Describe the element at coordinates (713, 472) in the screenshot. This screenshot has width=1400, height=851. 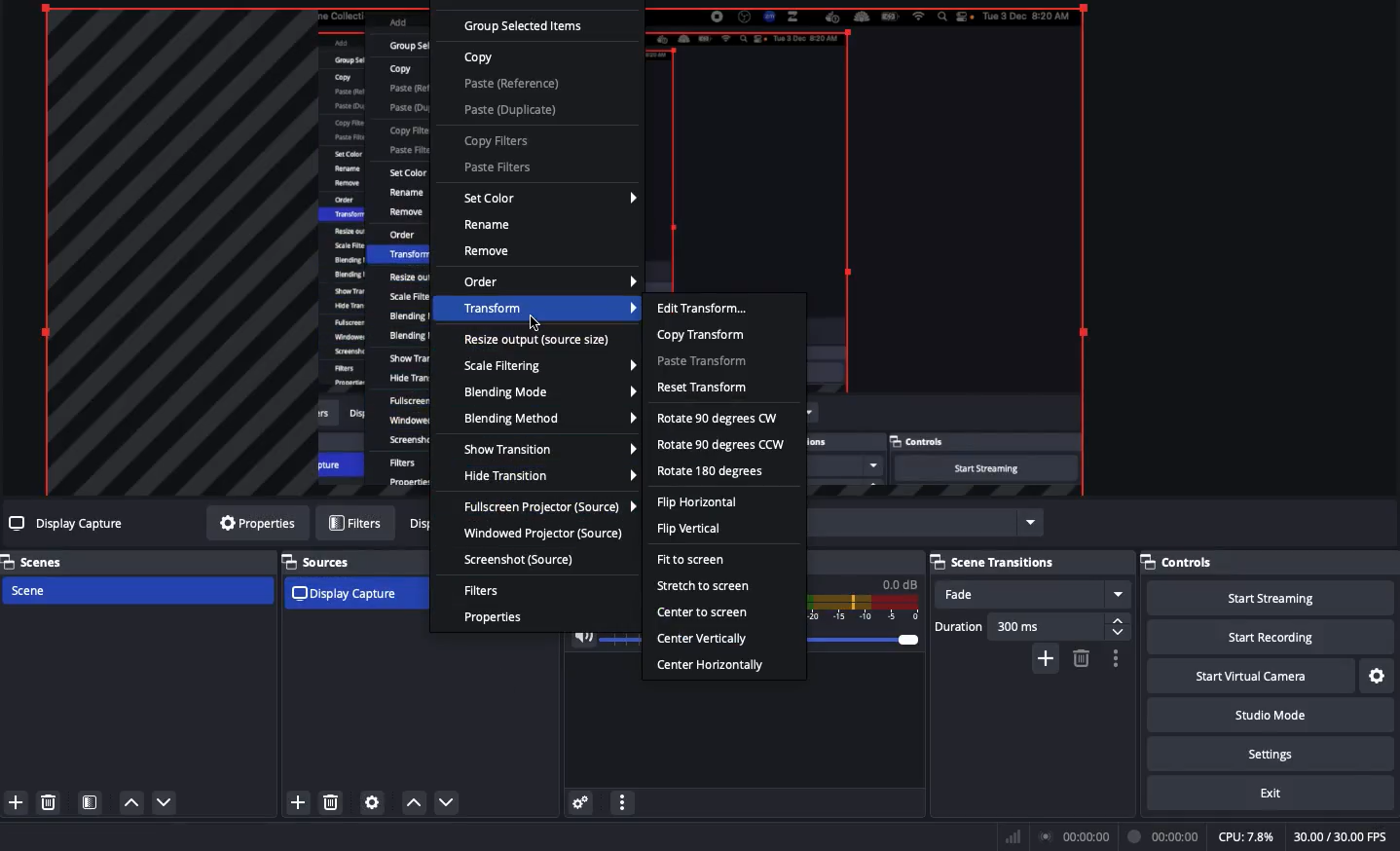
I see `Rotate 180 degrees` at that location.